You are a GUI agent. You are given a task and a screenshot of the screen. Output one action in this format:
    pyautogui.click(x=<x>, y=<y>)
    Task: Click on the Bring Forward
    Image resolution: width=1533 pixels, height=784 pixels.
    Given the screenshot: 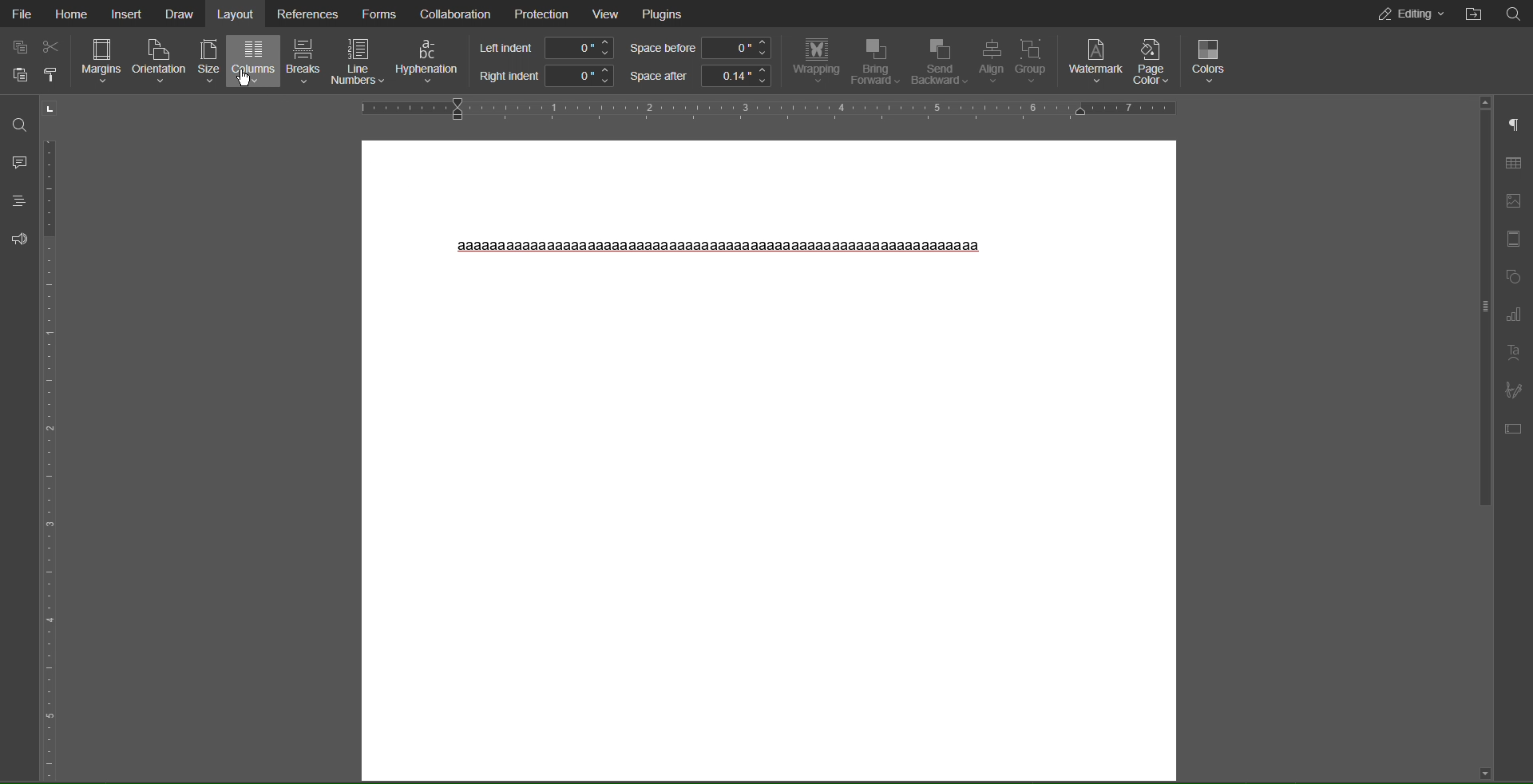 What is the action you would take?
    pyautogui.click(x=875, y=61)
    